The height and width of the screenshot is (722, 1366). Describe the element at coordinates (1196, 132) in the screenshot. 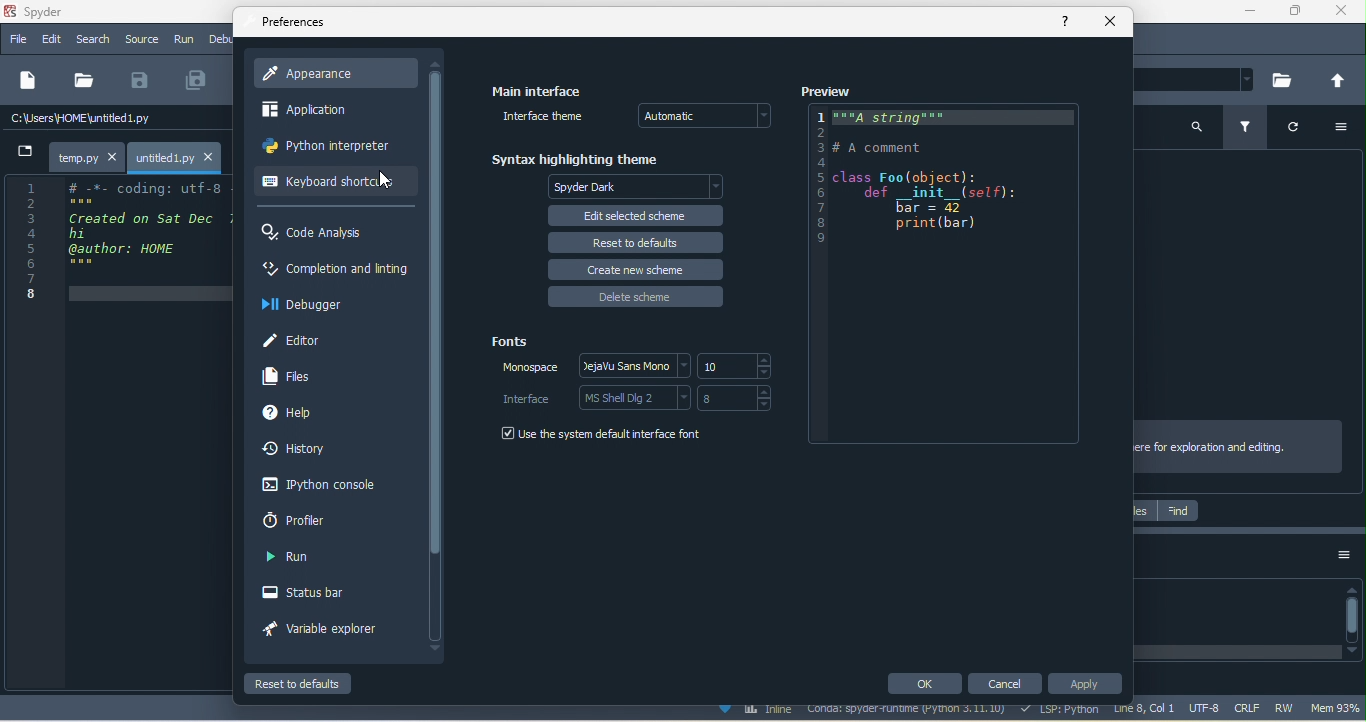

I see `search` at that location.